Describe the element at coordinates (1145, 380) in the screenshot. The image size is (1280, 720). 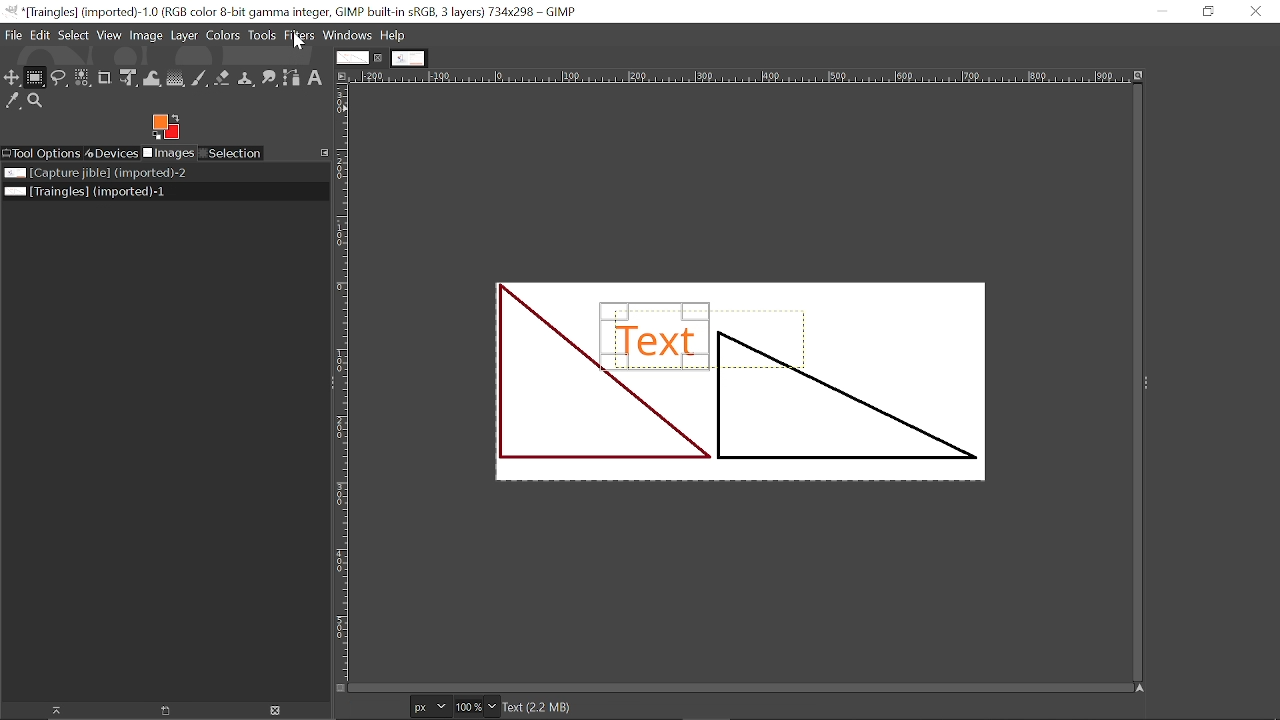
I see `expand` at that location.